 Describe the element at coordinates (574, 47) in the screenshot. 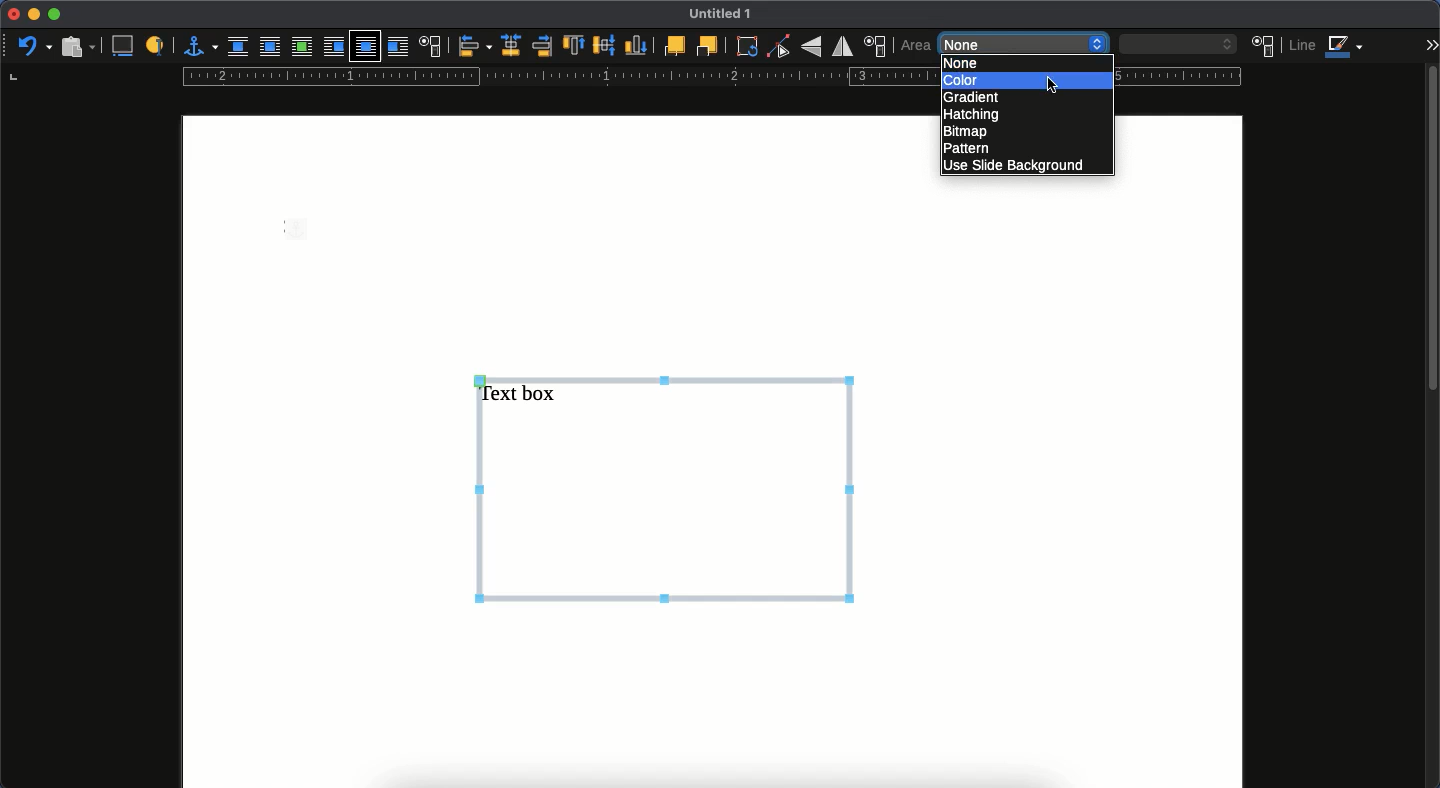

I see `top` at that location.